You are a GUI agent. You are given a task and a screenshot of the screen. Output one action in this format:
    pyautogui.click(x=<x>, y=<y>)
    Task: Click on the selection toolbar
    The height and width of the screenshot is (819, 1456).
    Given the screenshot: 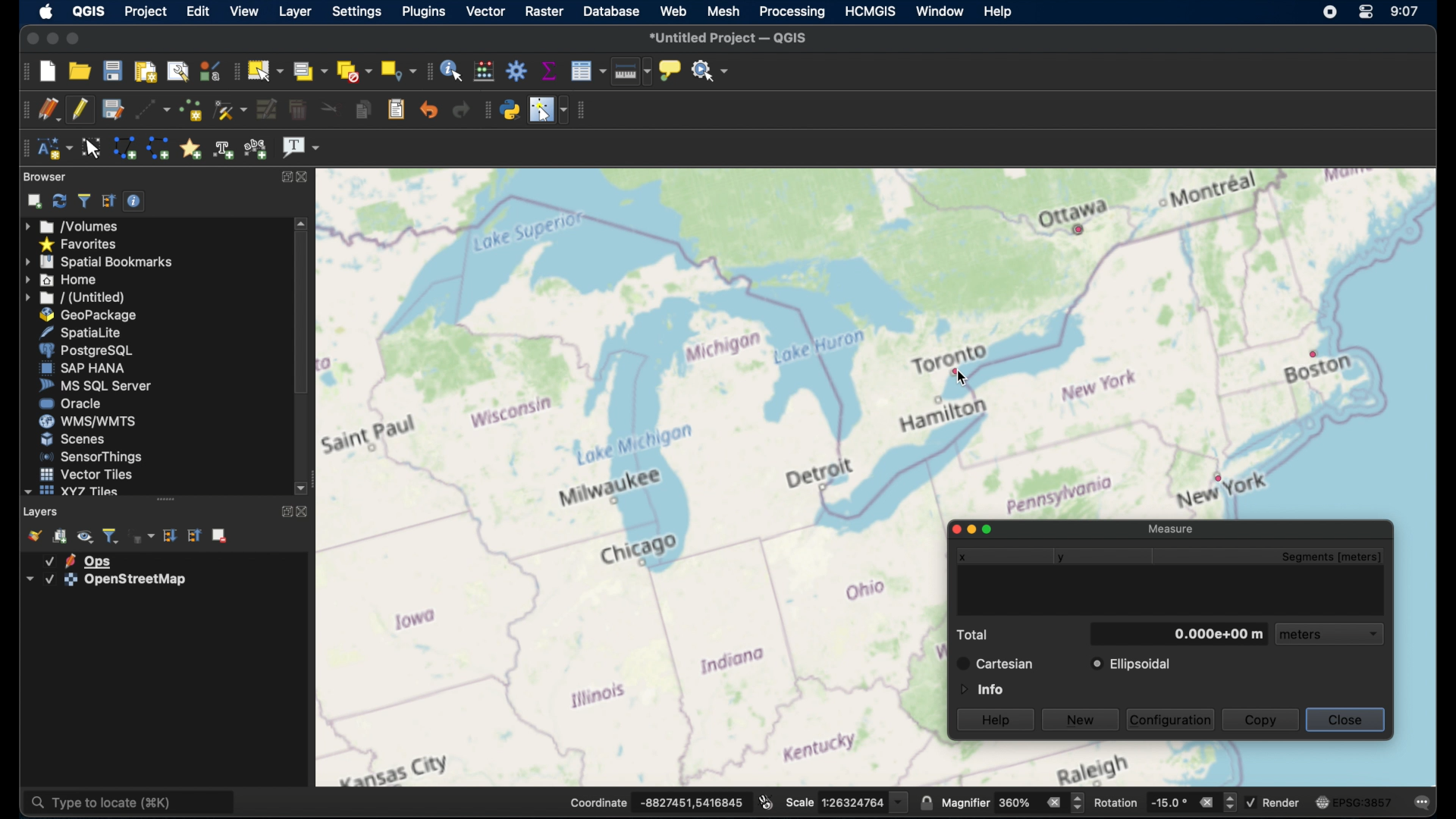 What is the action you would take?
    pyautogui.click(x=237, y=70)
    